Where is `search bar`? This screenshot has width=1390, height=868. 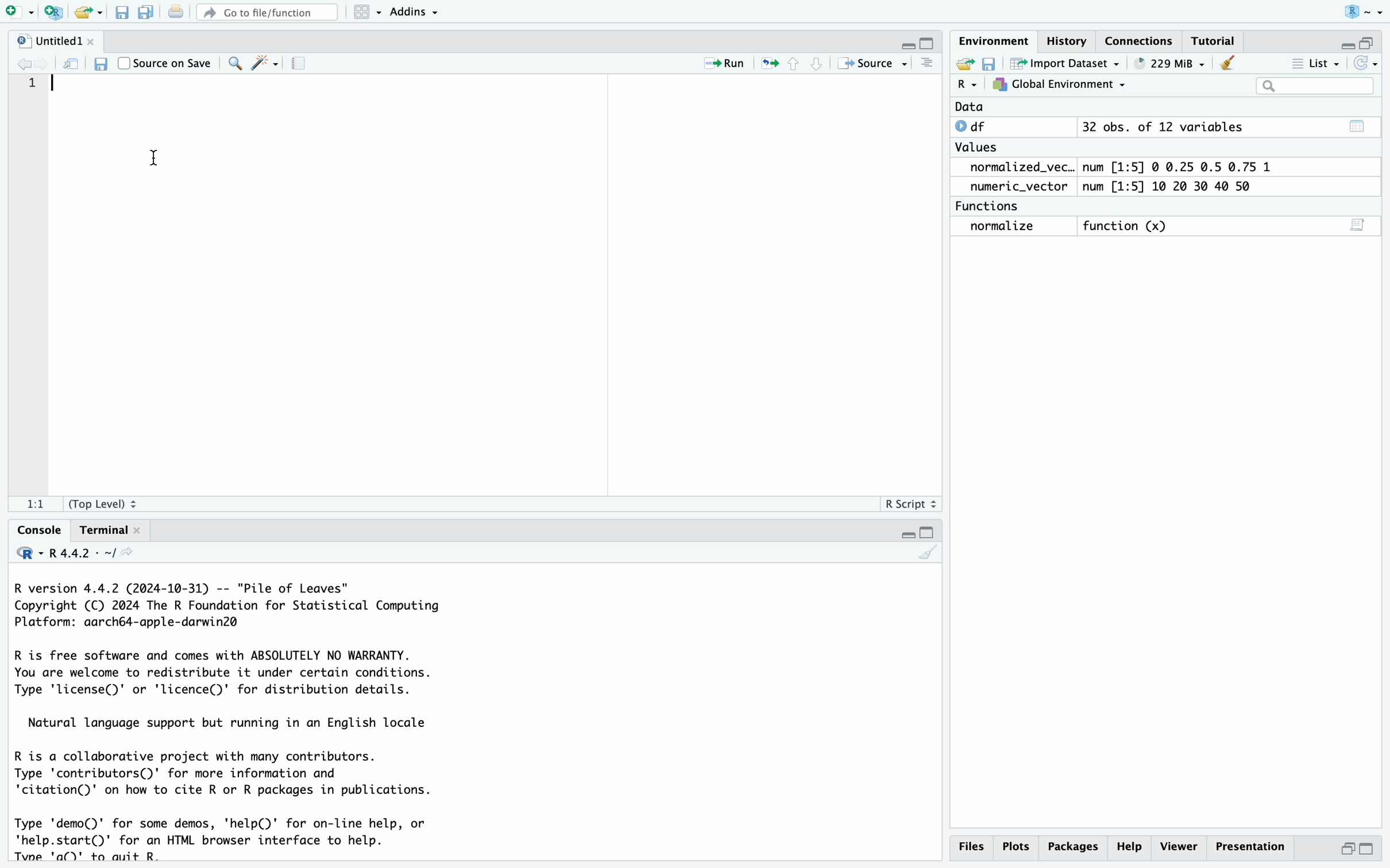
search bar is located at coordinates (1316, 87).